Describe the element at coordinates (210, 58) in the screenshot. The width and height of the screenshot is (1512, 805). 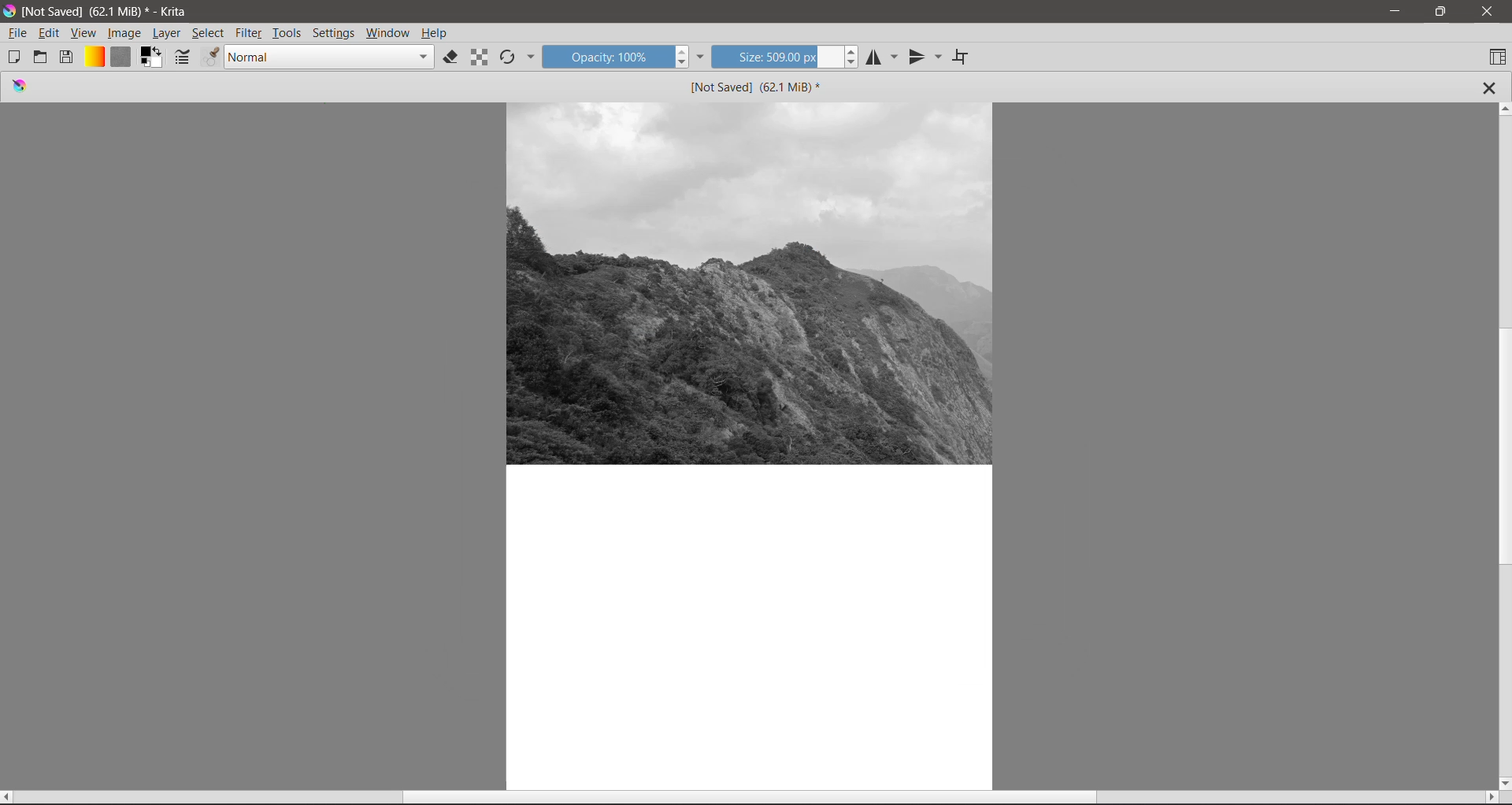
I see `Choose brush presets` at that location.